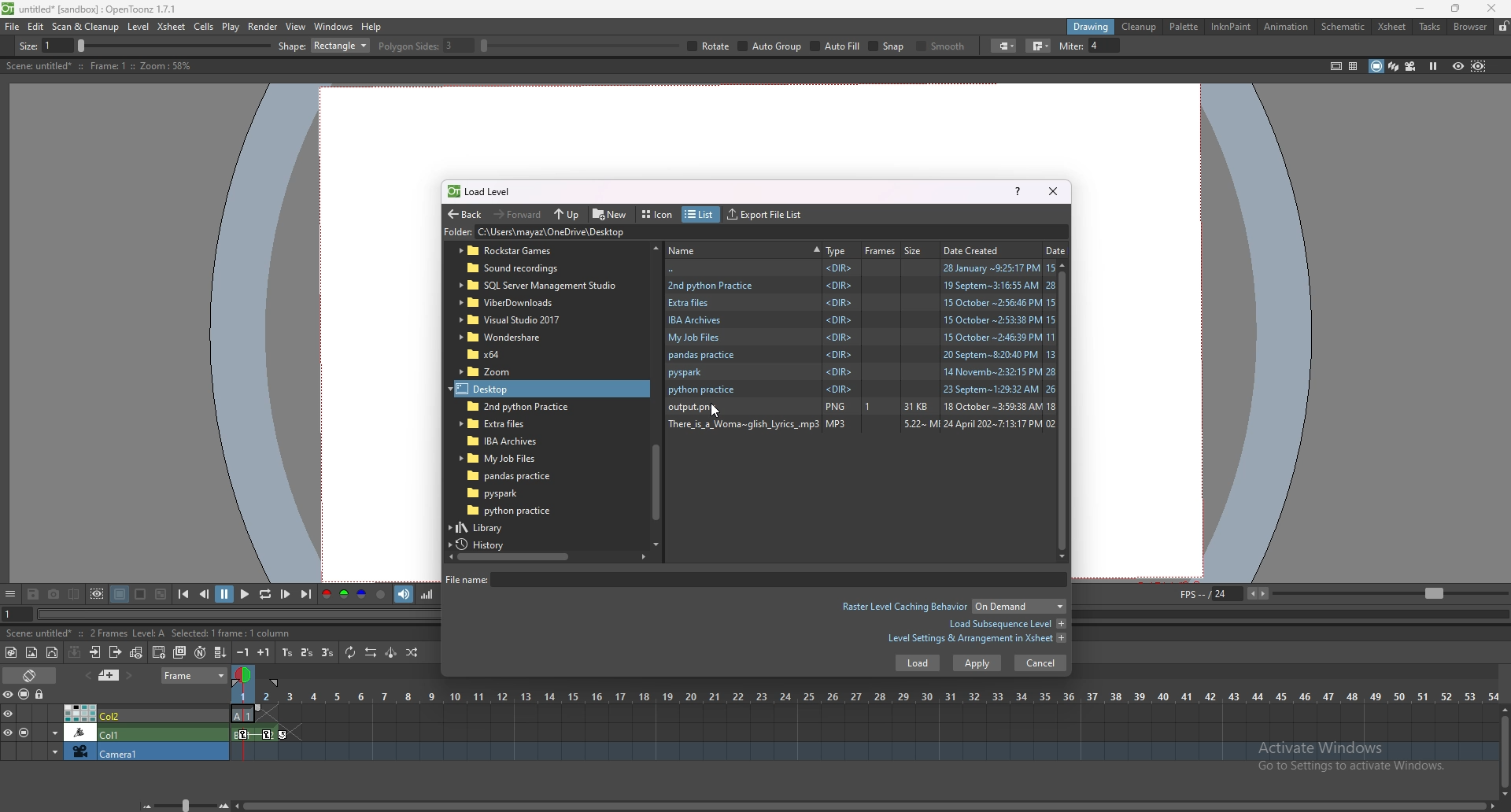 The height and width of the screenshot is (812, 1511). Describe the element at coordinates (862, 268) in the screenshot. I see `back` at that location.